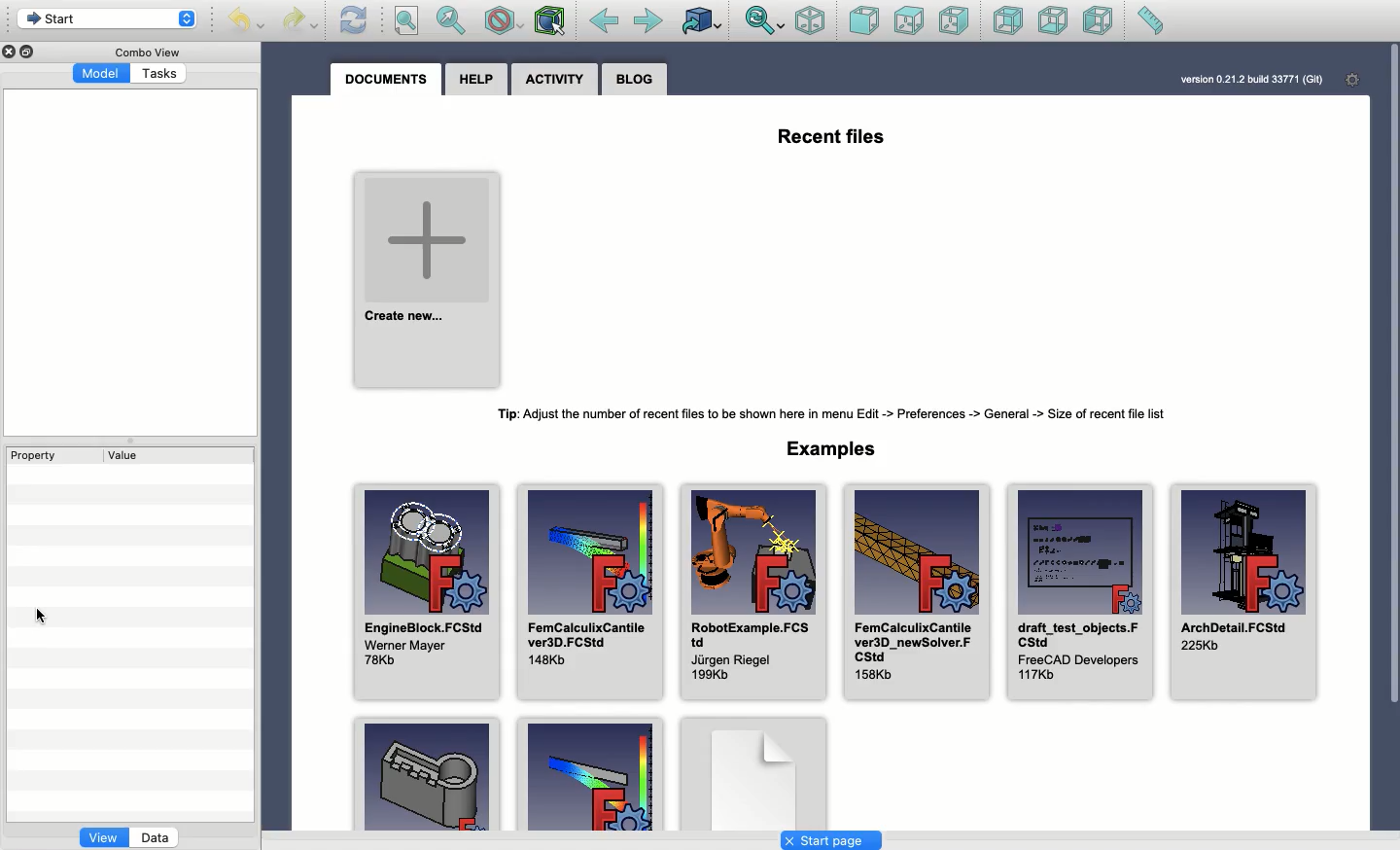  What do you see at coordinates (157, 838) in the screenshot?
I see `Data` at bounding box center [157, 838].